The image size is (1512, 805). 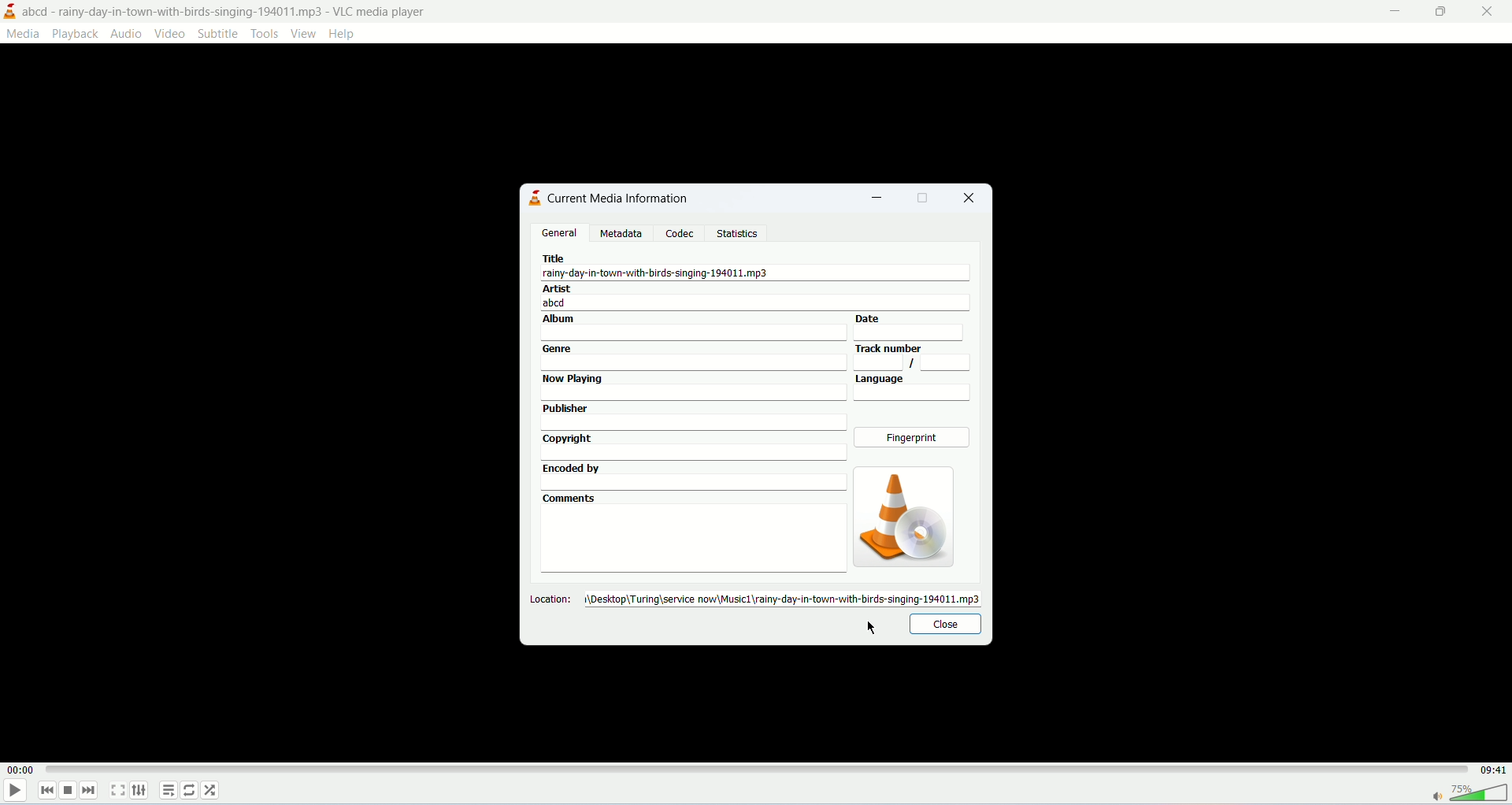 What do you see at coordinates (303, 33) in the screenshot?
I see `view` at bounding box center [303, 33].